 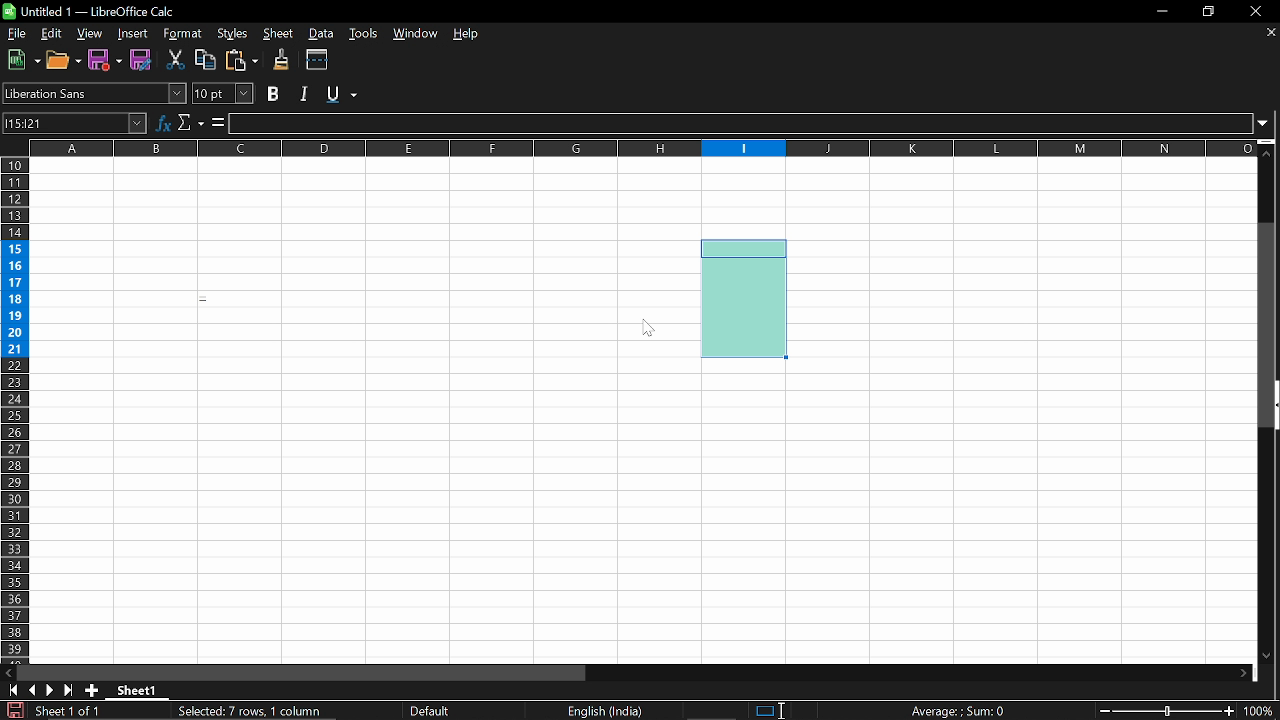 What do you see at coordinates (1269, 152) in the screenshot?
I see `Move up` at bounding box center [1269, 152].